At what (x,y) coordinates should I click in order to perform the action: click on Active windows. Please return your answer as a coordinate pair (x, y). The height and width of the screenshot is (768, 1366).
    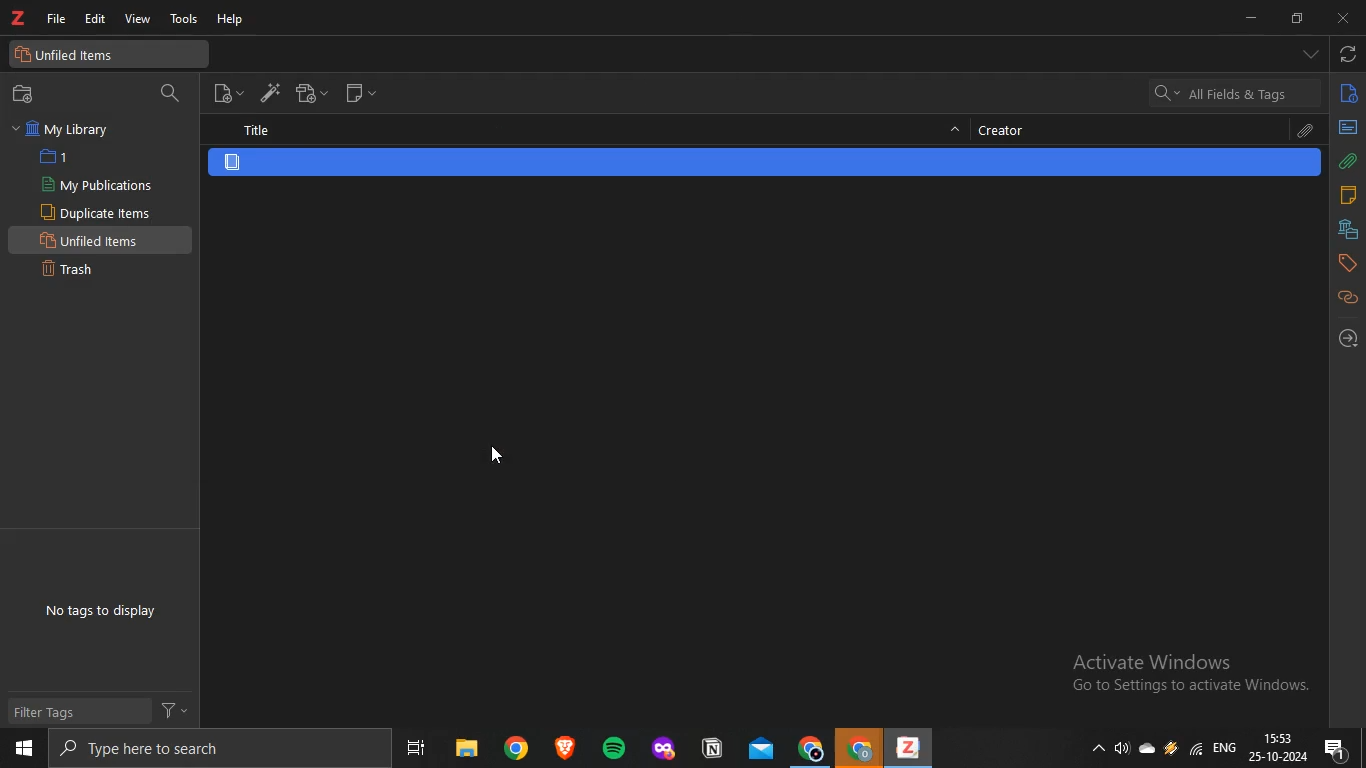
    Looking at the image, I should click on (1198, 679).